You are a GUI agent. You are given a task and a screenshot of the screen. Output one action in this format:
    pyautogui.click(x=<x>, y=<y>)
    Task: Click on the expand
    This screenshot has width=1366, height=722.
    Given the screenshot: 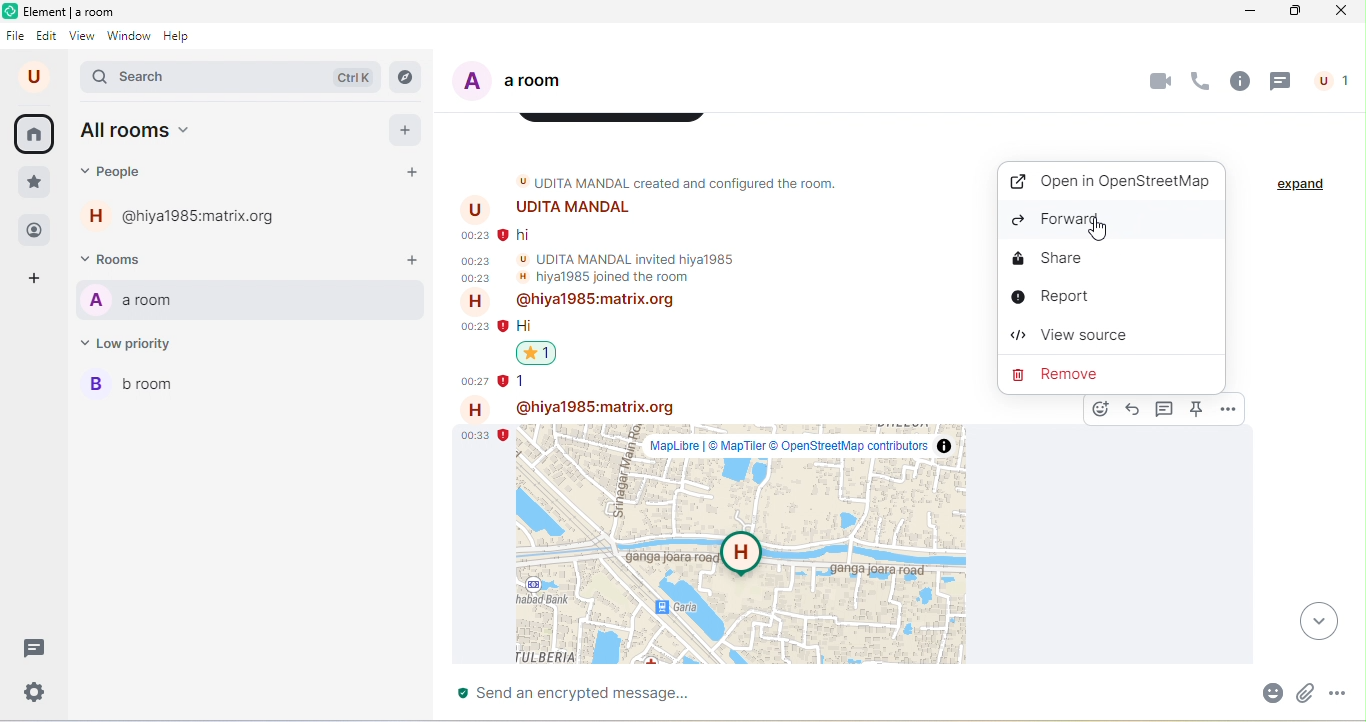 What is the action you would take?
    pyautogui.click(x=1299, y=185)
    